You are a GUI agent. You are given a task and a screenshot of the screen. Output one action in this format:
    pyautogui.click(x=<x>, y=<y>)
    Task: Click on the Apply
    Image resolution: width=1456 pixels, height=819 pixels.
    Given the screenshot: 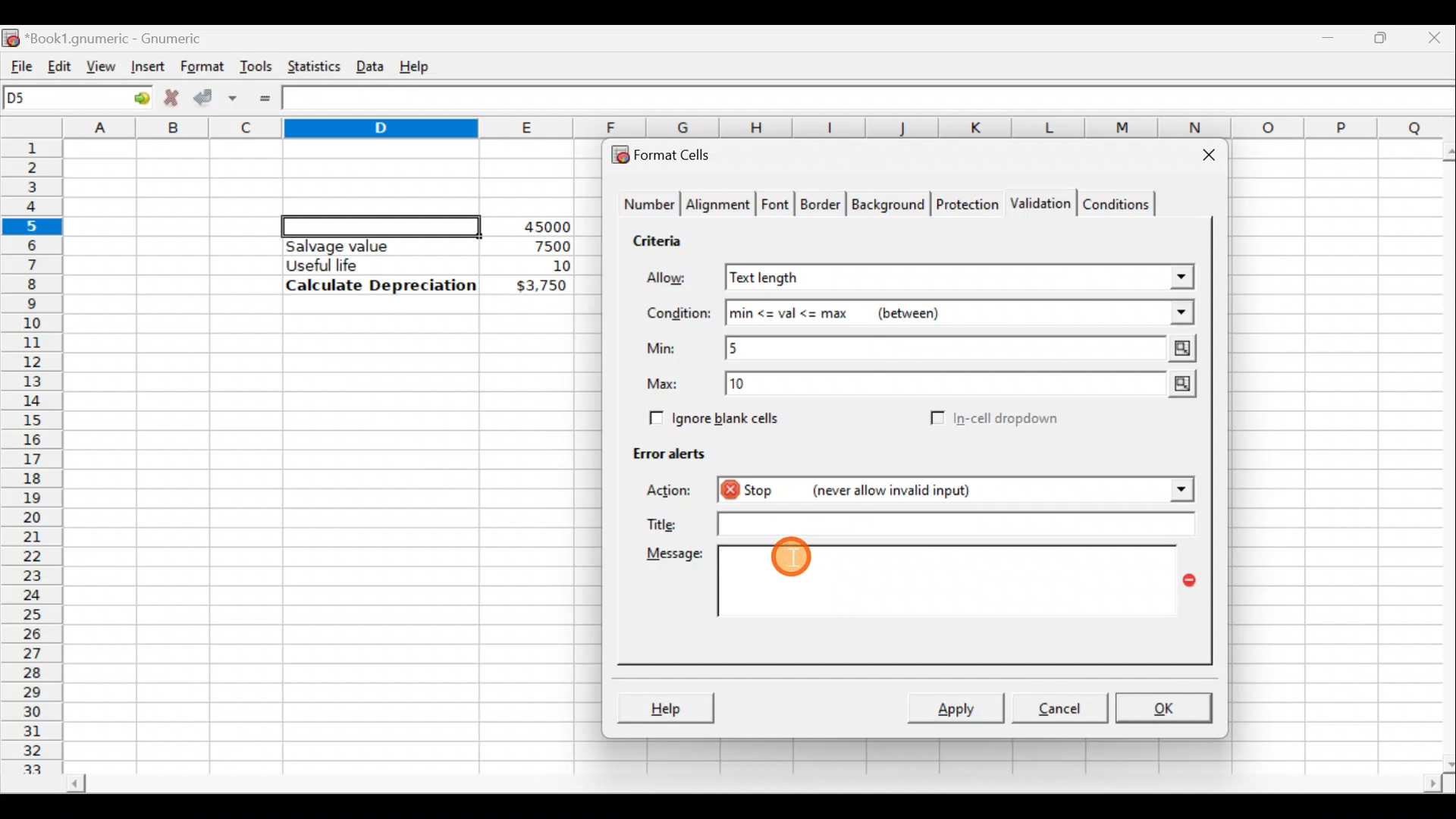 What is the action you would take?
    pyautogui.click(x=962, y=707)
    